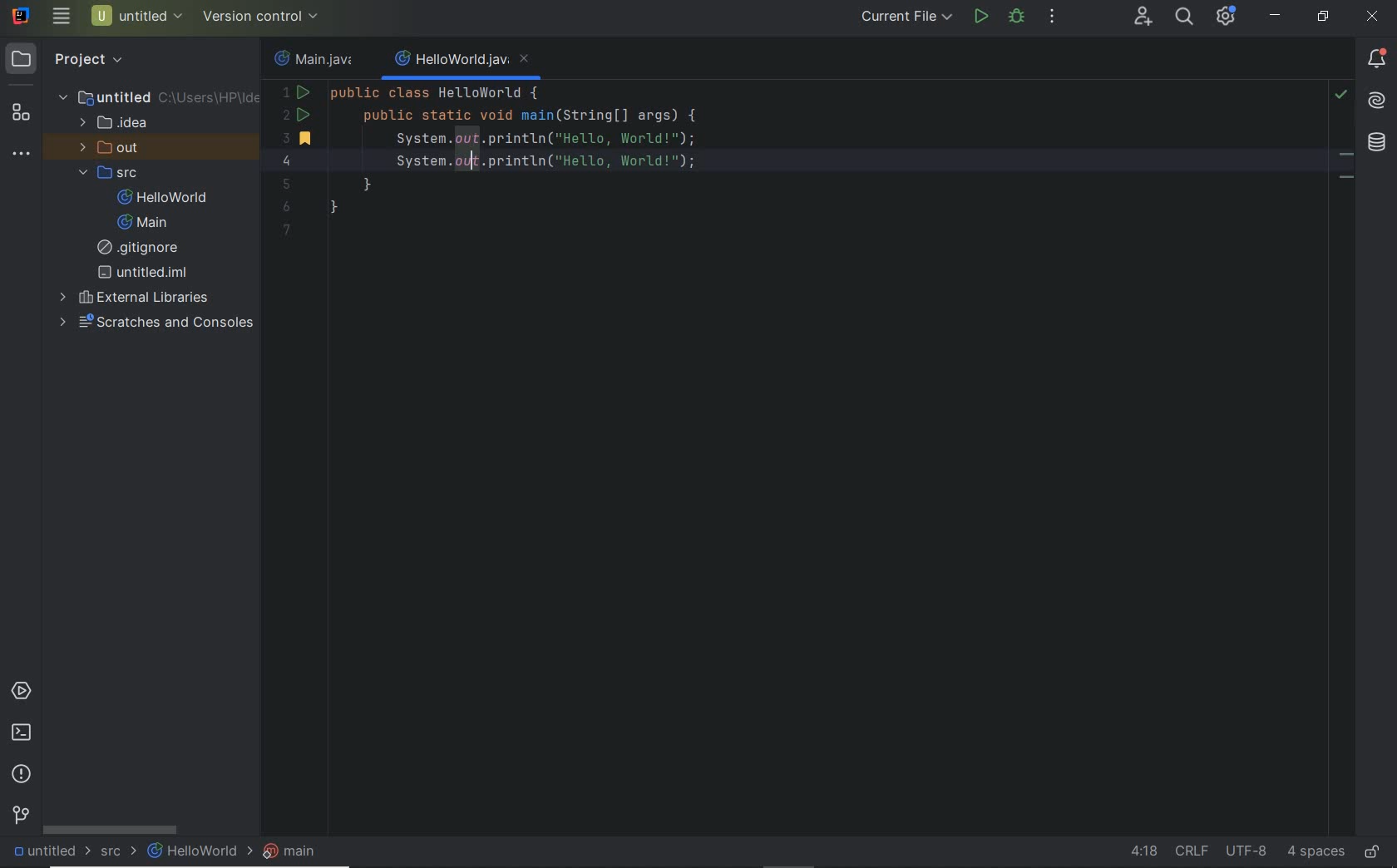 This screenshot has width=1397, height=868. What do you see at coordinates (263, 18) in the screenshot?
I see `version control` at bounding box center [263, 18].